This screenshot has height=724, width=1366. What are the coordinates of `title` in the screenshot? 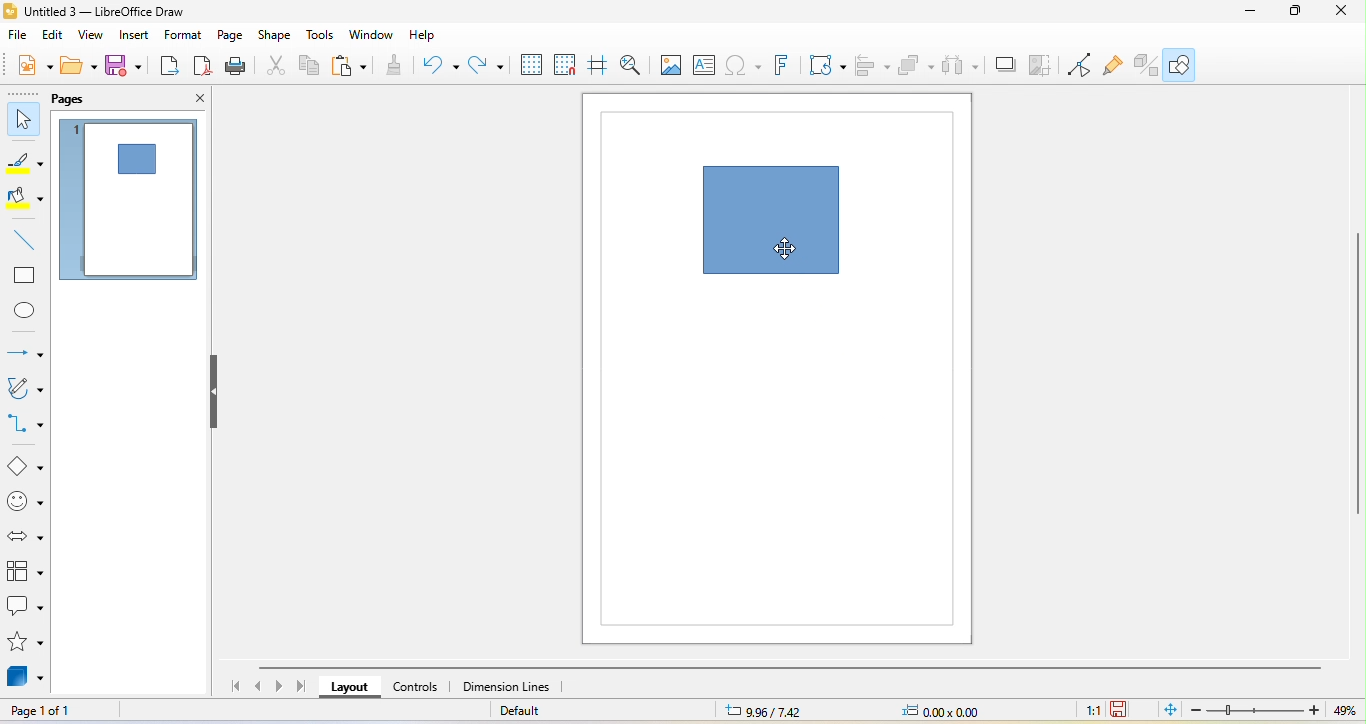 It's located at (120, 11).